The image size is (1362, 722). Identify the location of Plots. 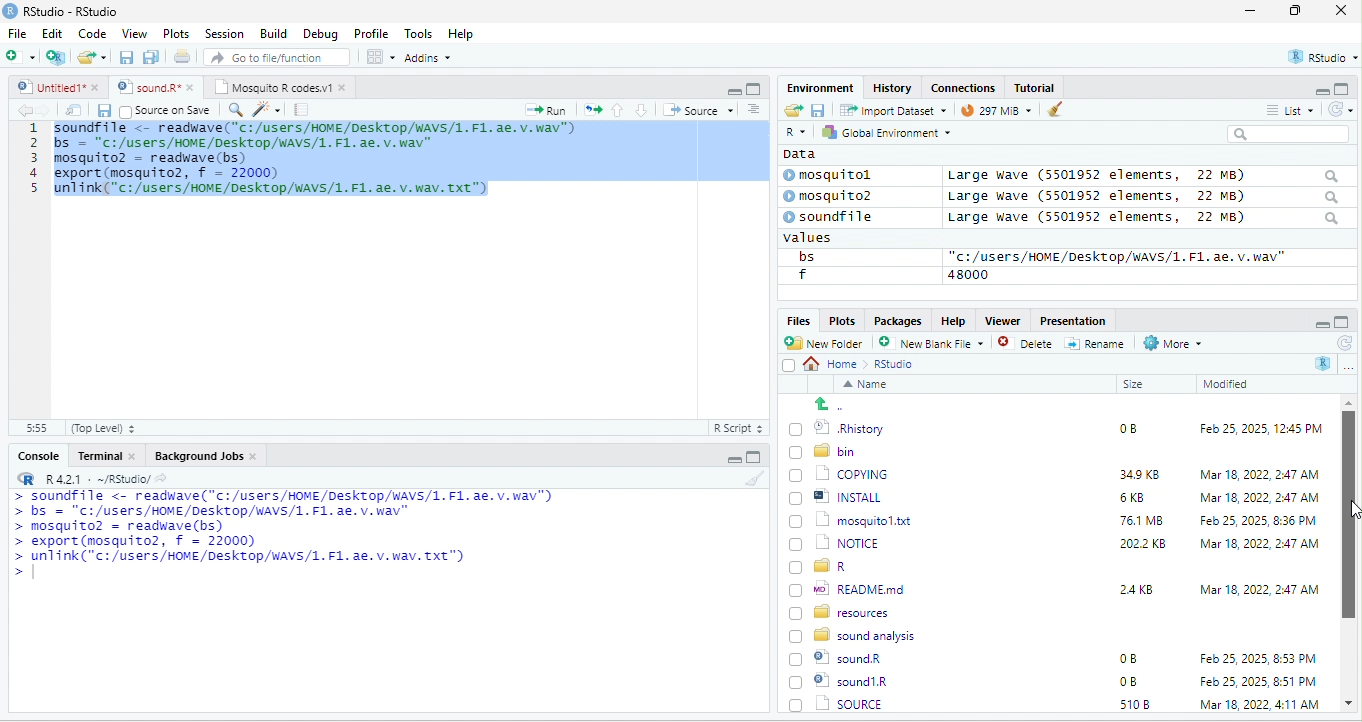
(842, 320).